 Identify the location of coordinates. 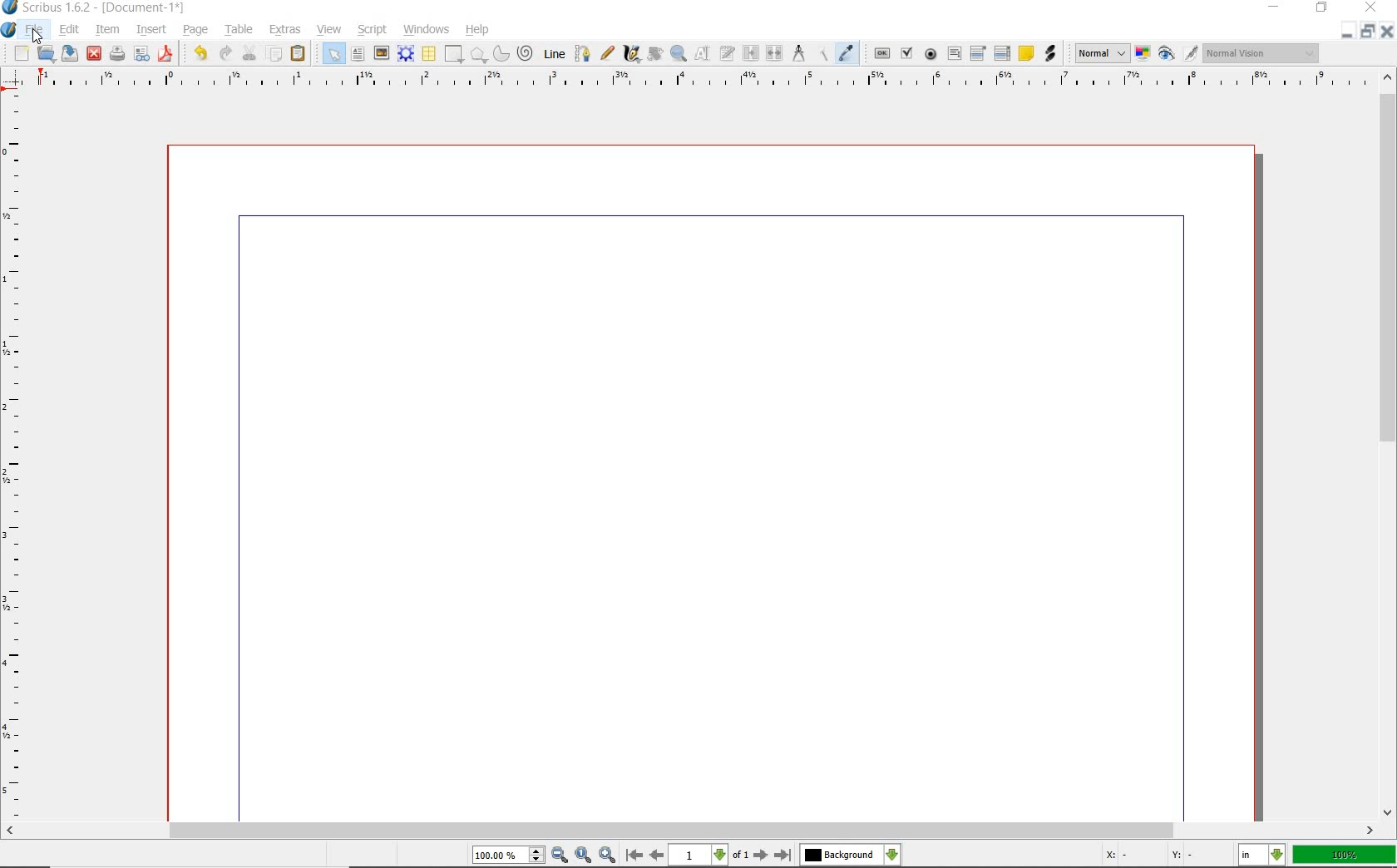
(1156, 858).